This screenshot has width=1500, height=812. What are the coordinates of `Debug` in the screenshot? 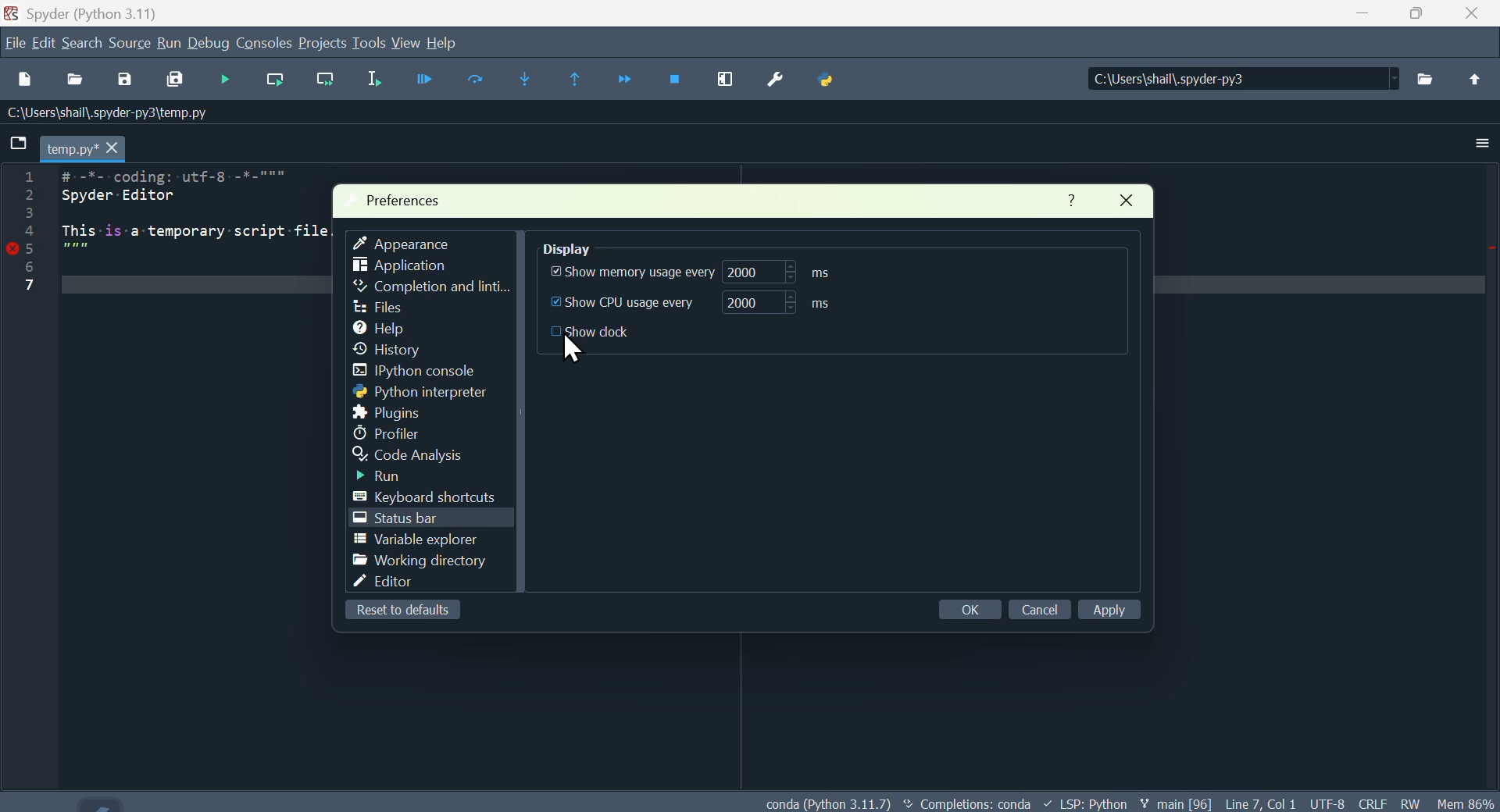 It's located at (210, 44).